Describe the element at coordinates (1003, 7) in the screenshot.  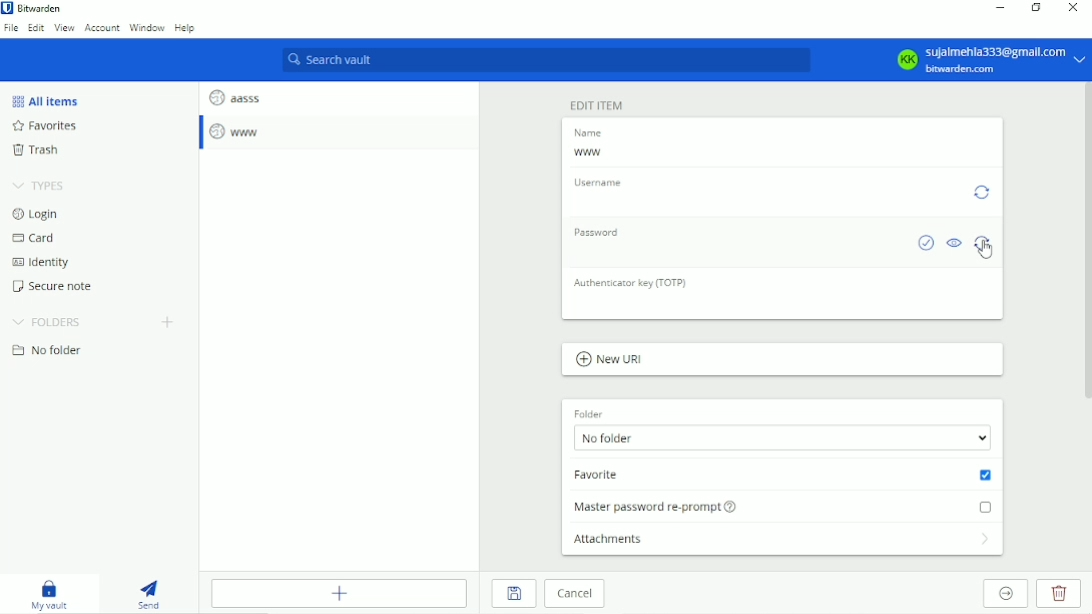
I see `Minimize` at that location.